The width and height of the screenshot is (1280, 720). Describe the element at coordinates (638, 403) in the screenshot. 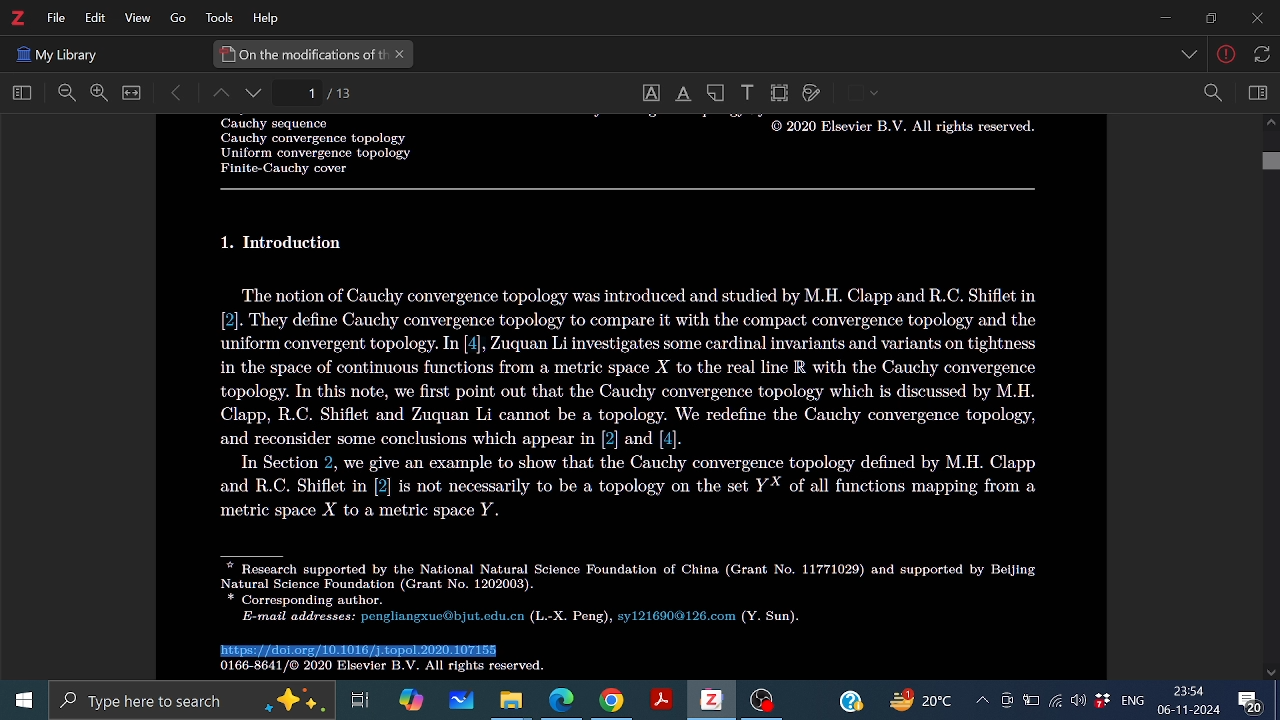

I see `` at that location.